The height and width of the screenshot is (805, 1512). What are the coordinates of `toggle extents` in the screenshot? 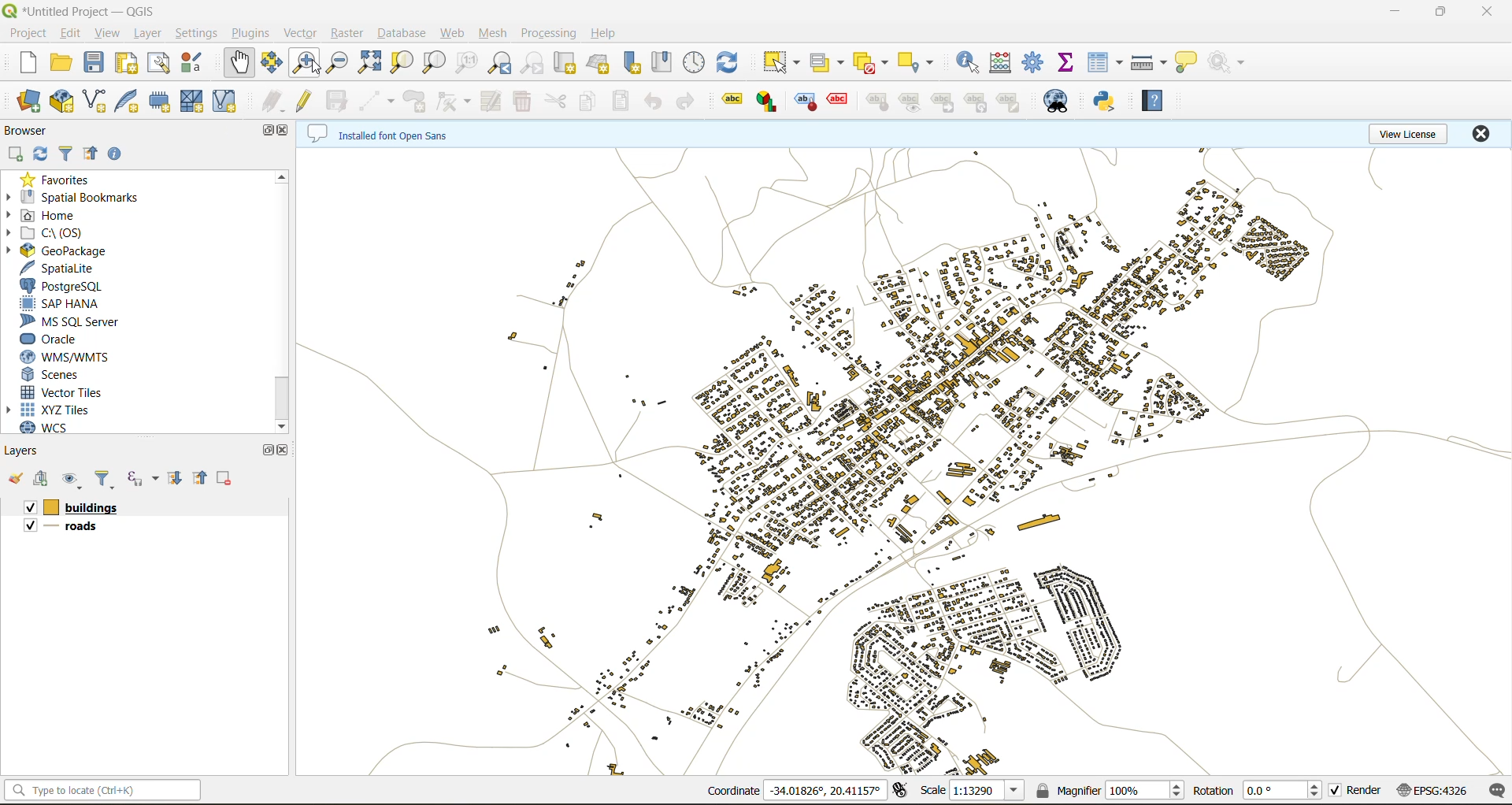 It's located at (898, 793).